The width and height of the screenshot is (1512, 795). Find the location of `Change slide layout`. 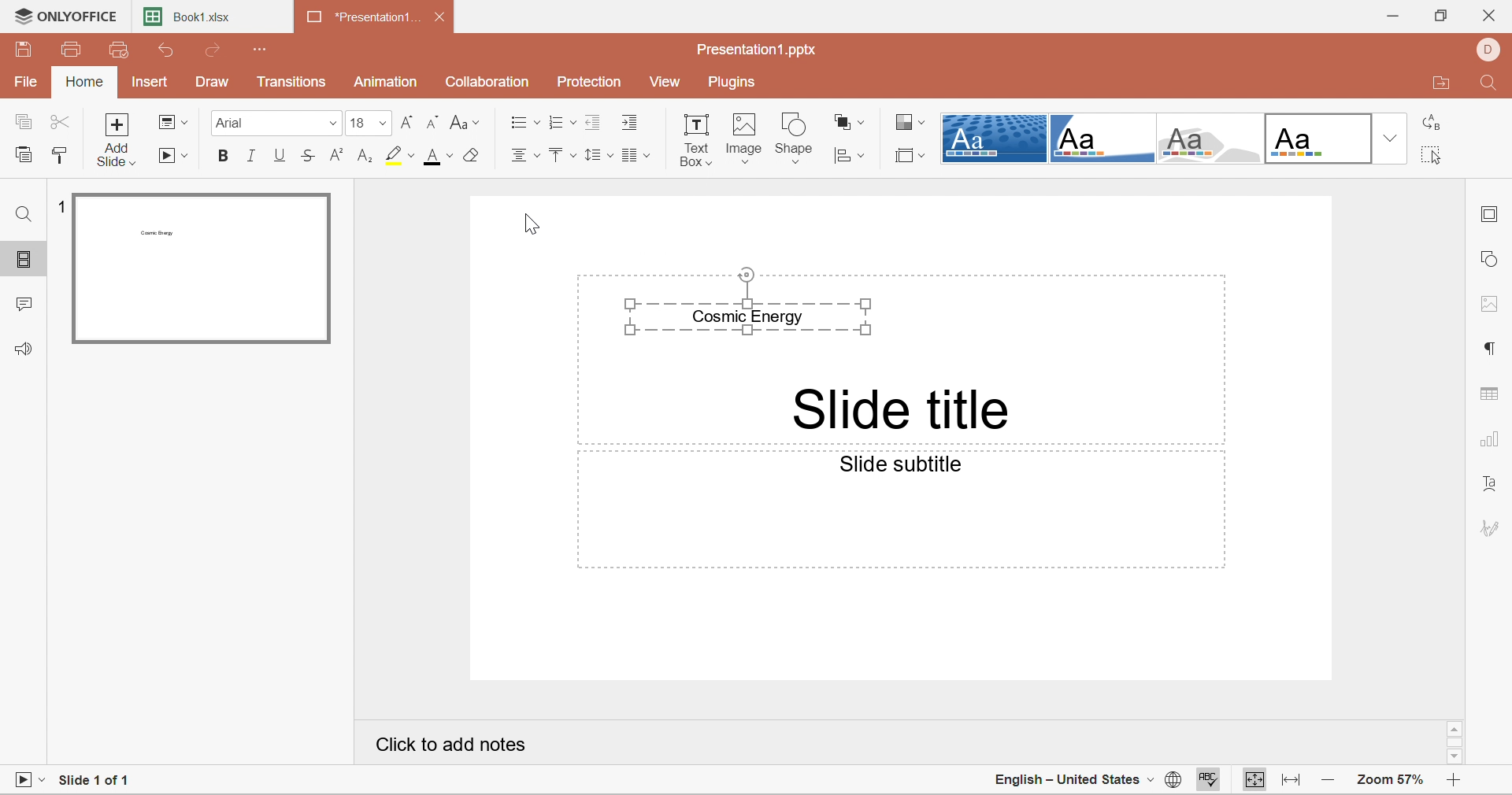

Change slide layout is located at coordinates (172, 121).